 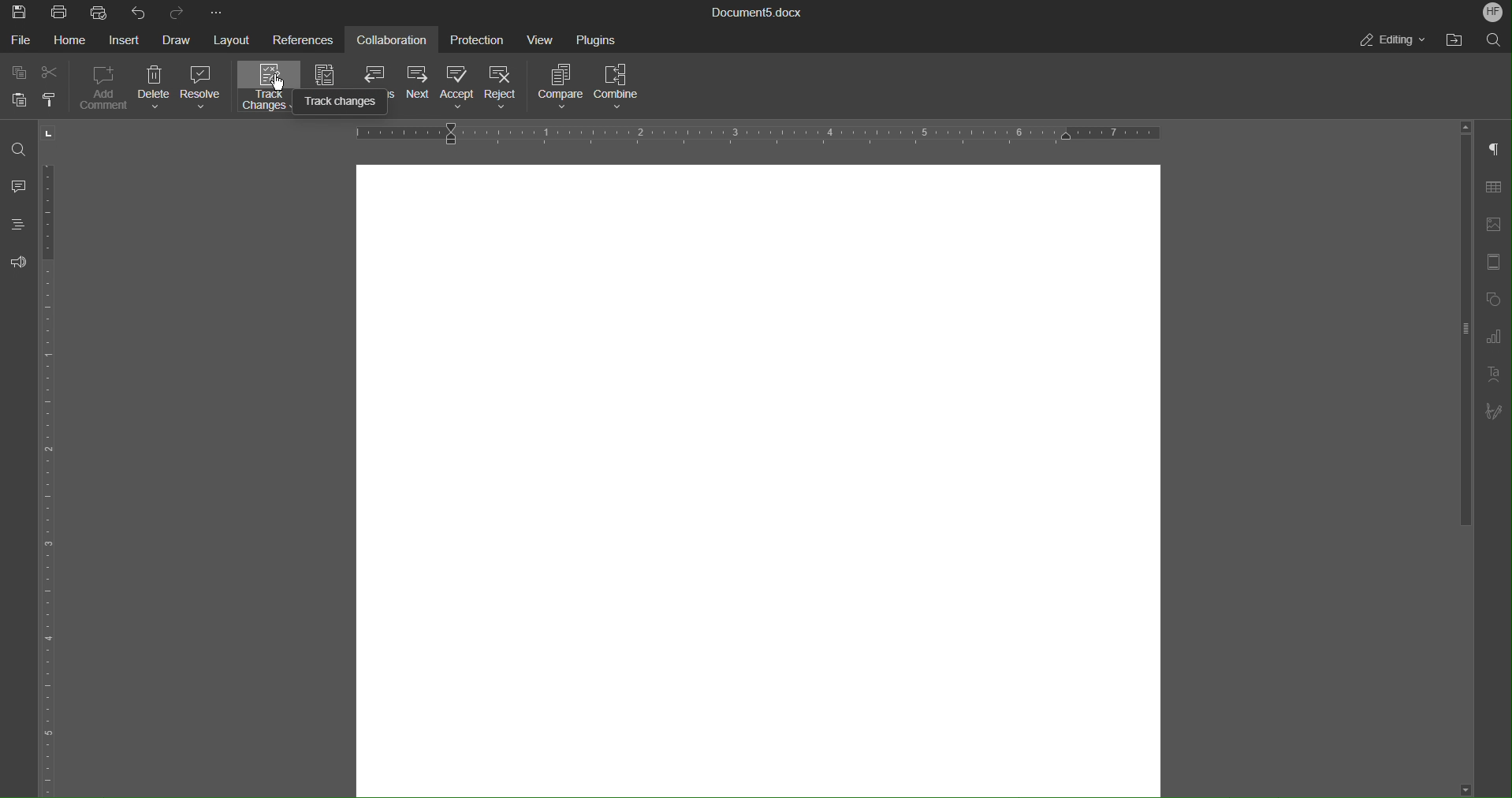 I want to click on Display Mode, so click(x=327, y=74).